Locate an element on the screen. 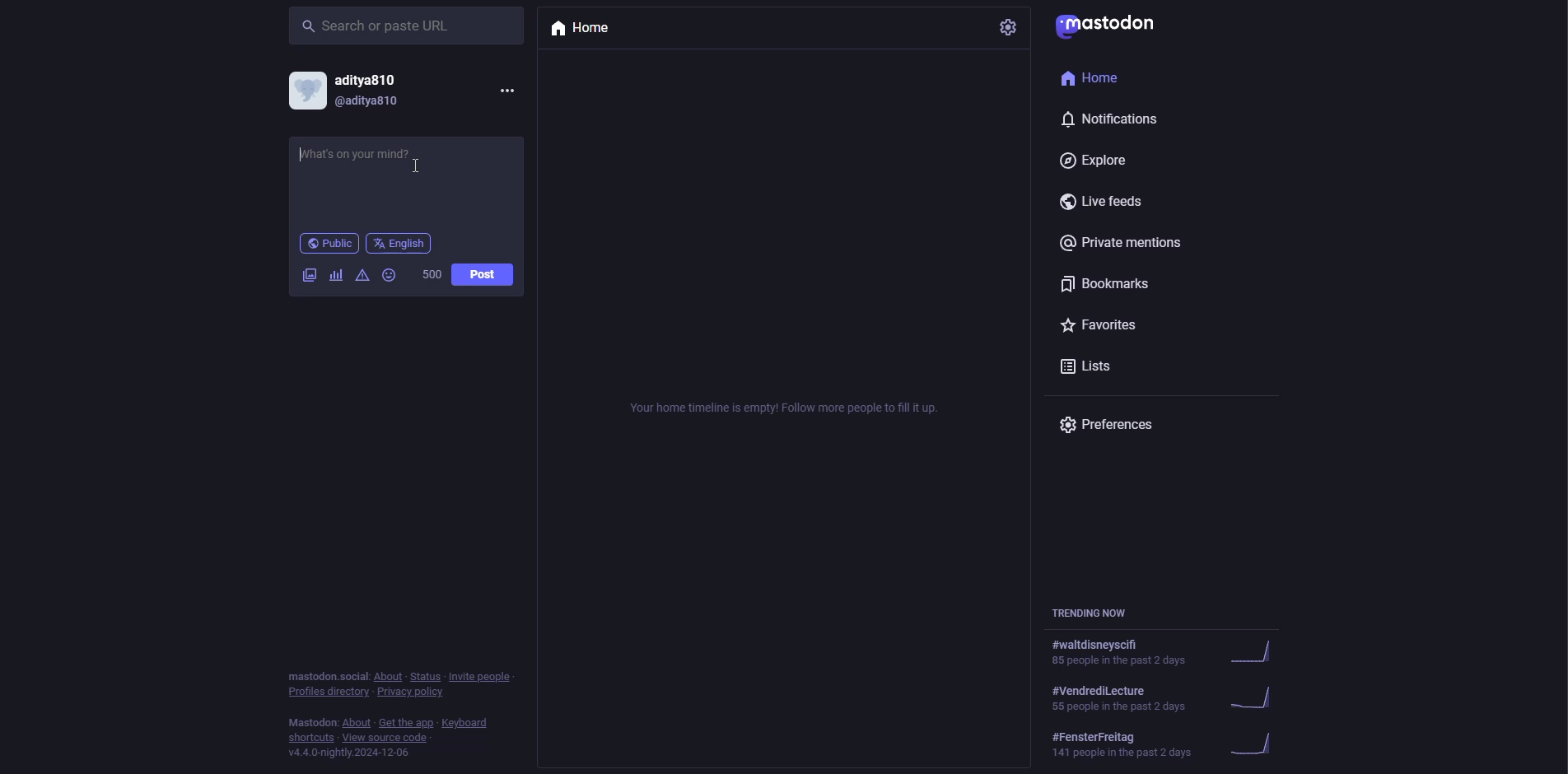  polls is located at coordinates (335, 275).